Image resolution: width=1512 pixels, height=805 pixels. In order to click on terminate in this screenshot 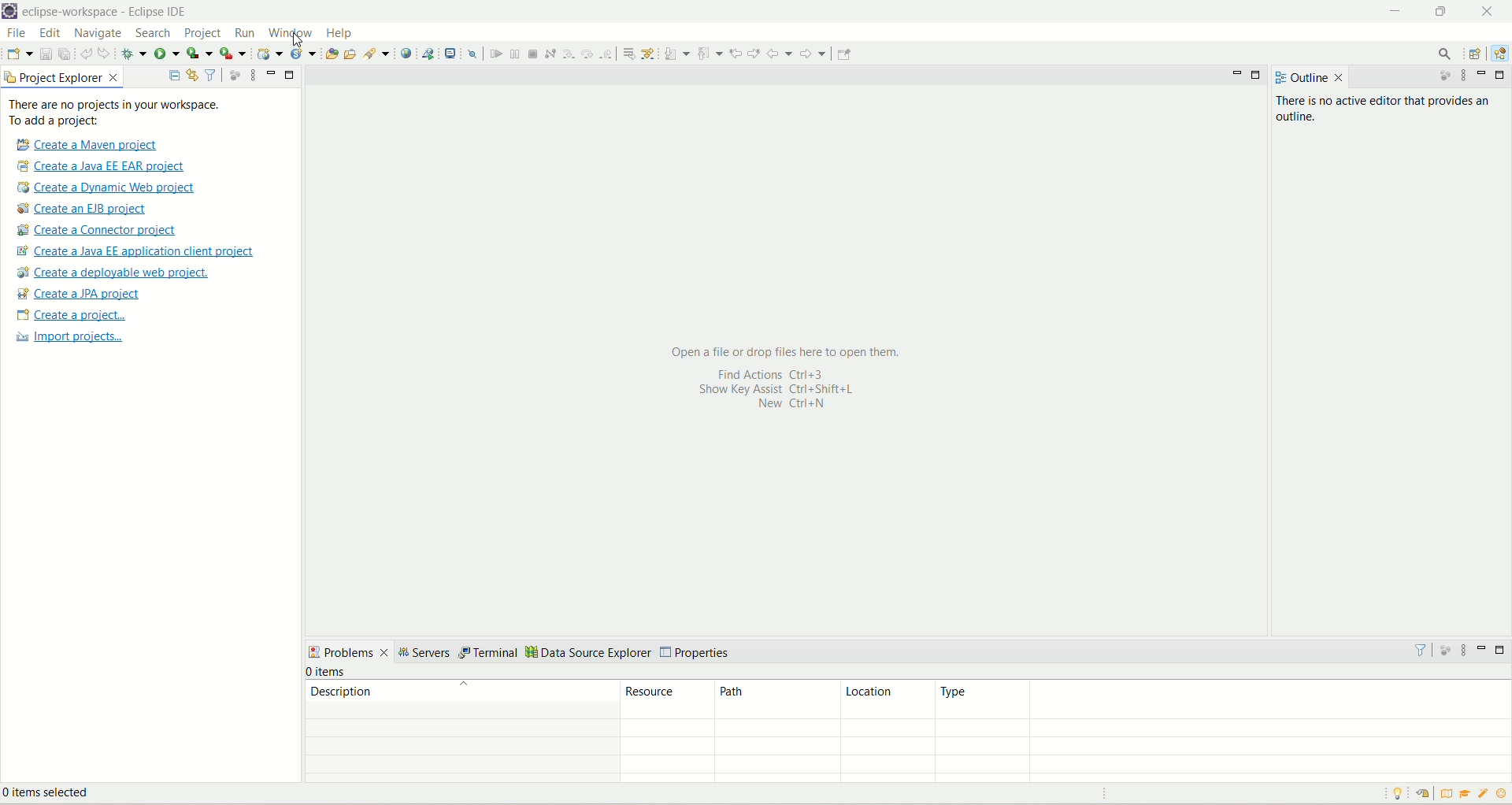, I will do `click(535, 54)`.